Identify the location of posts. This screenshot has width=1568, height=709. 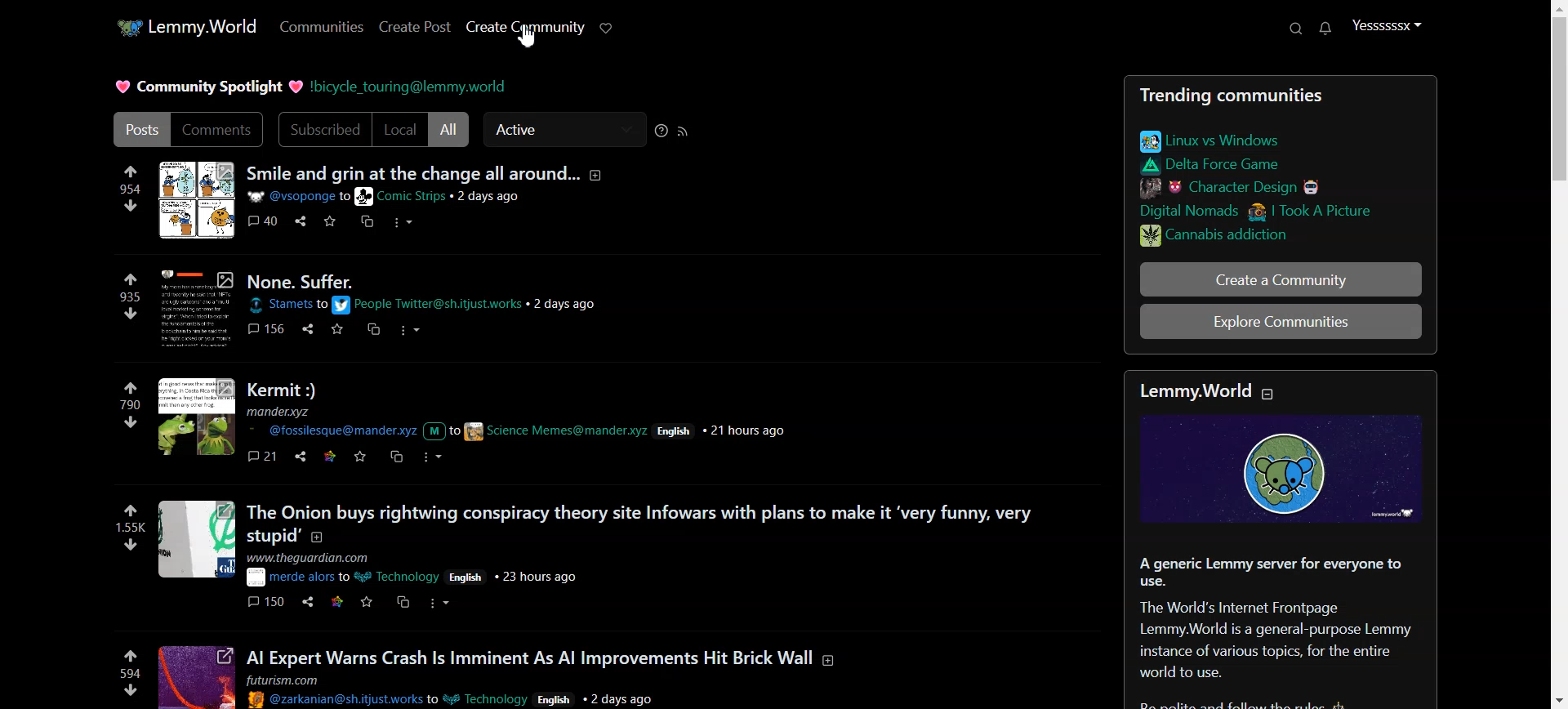
(287, 390).